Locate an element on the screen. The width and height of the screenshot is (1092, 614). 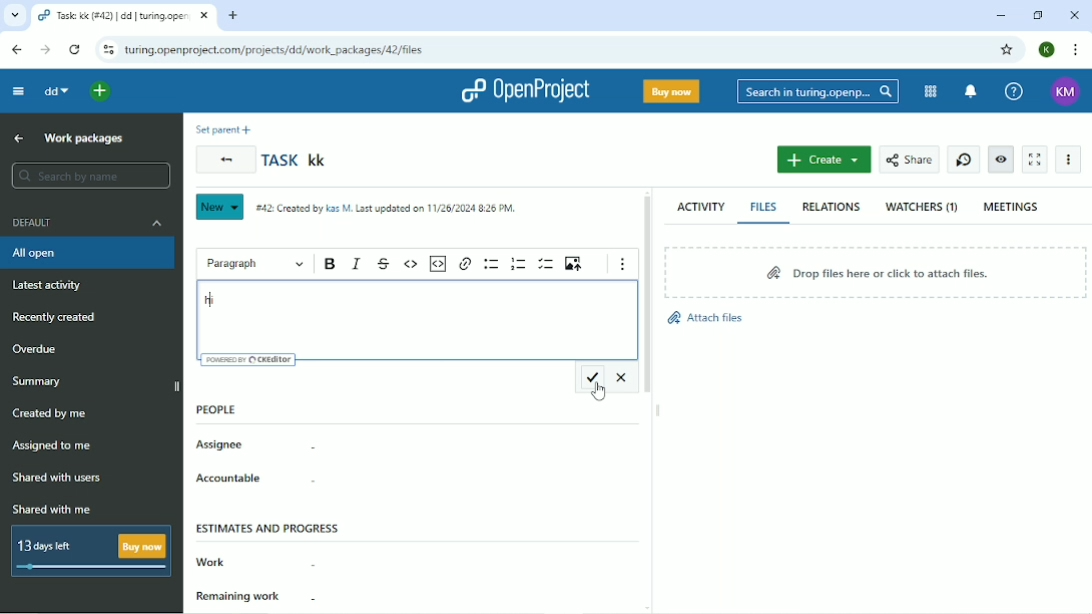
Assignee is located at coordinates (261, 448).